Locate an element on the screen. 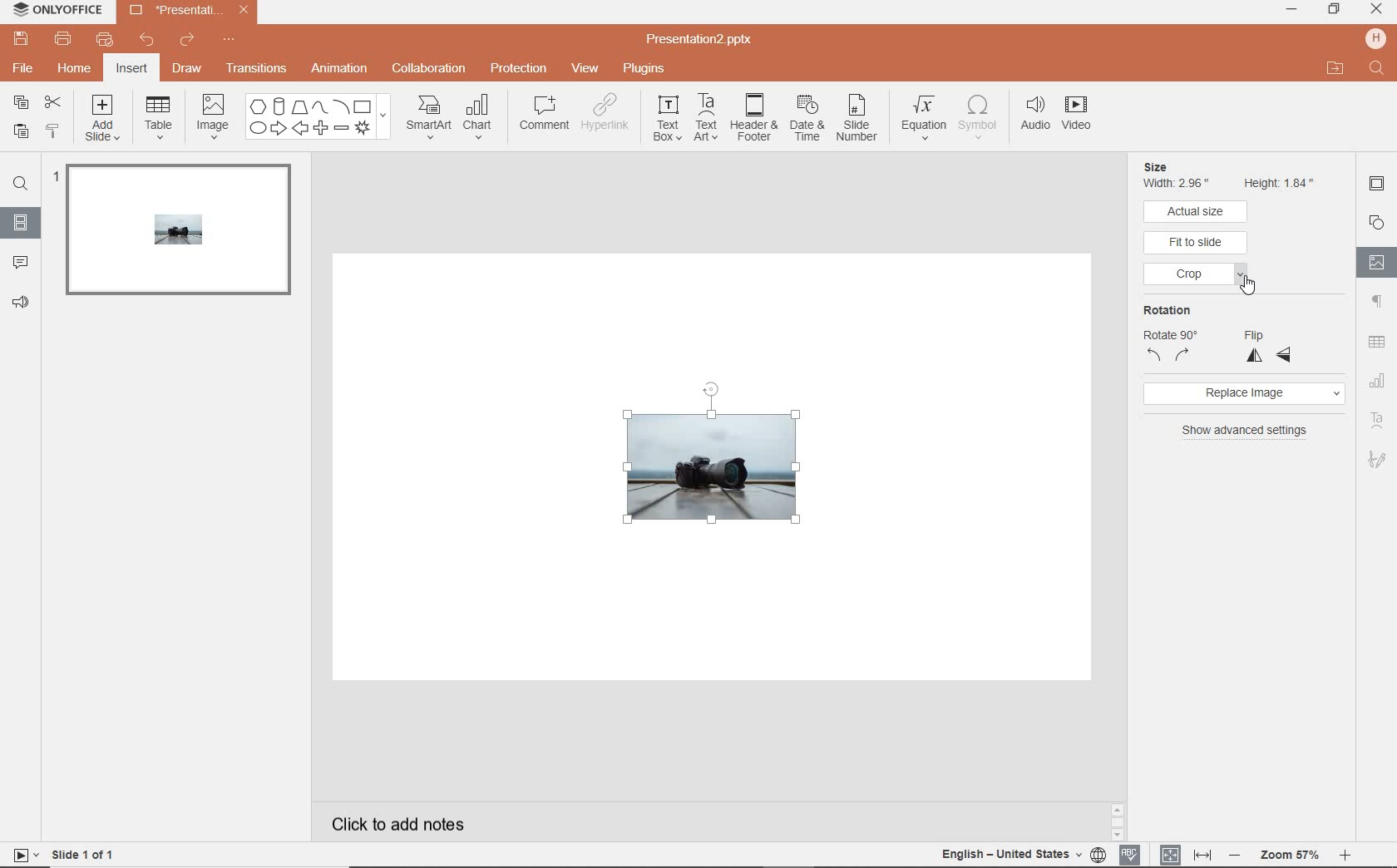 This screenshot has width=1397, height=868. paste is located at coordinates (18, 131).